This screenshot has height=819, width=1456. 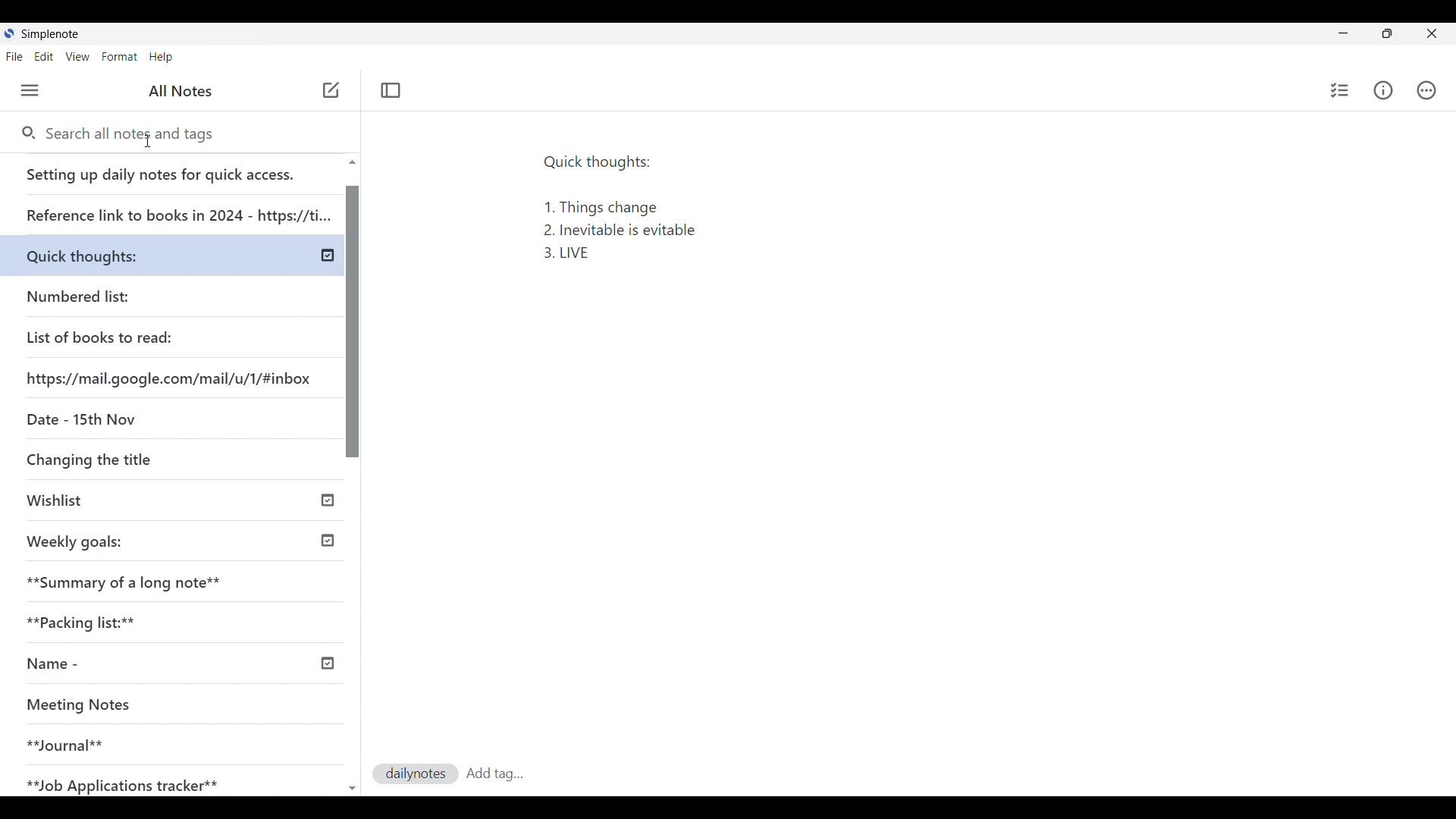 I want to click on Quick slide to top, so click(x=352, y=162).